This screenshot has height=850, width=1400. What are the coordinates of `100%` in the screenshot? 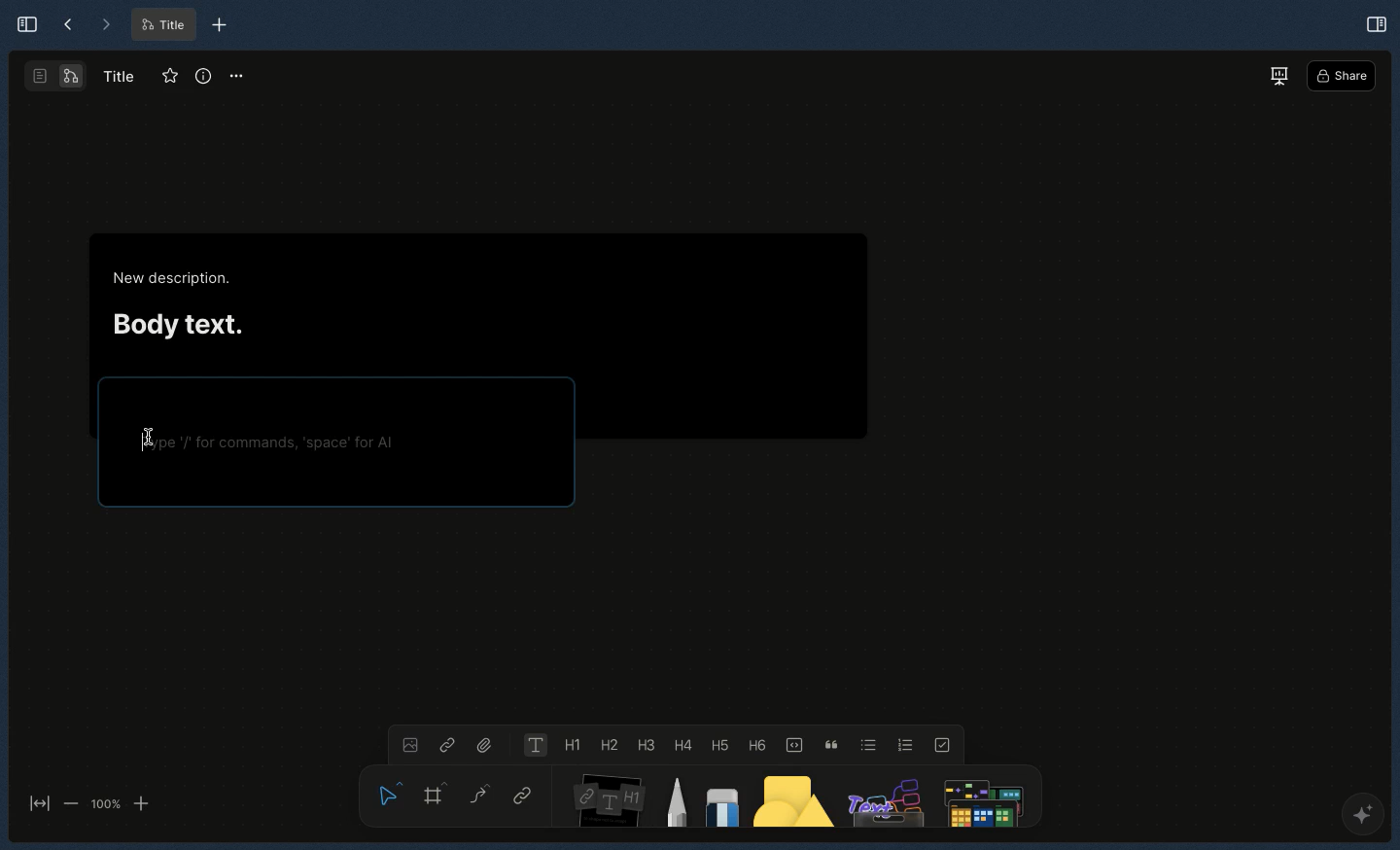 It's located at (105, 804).